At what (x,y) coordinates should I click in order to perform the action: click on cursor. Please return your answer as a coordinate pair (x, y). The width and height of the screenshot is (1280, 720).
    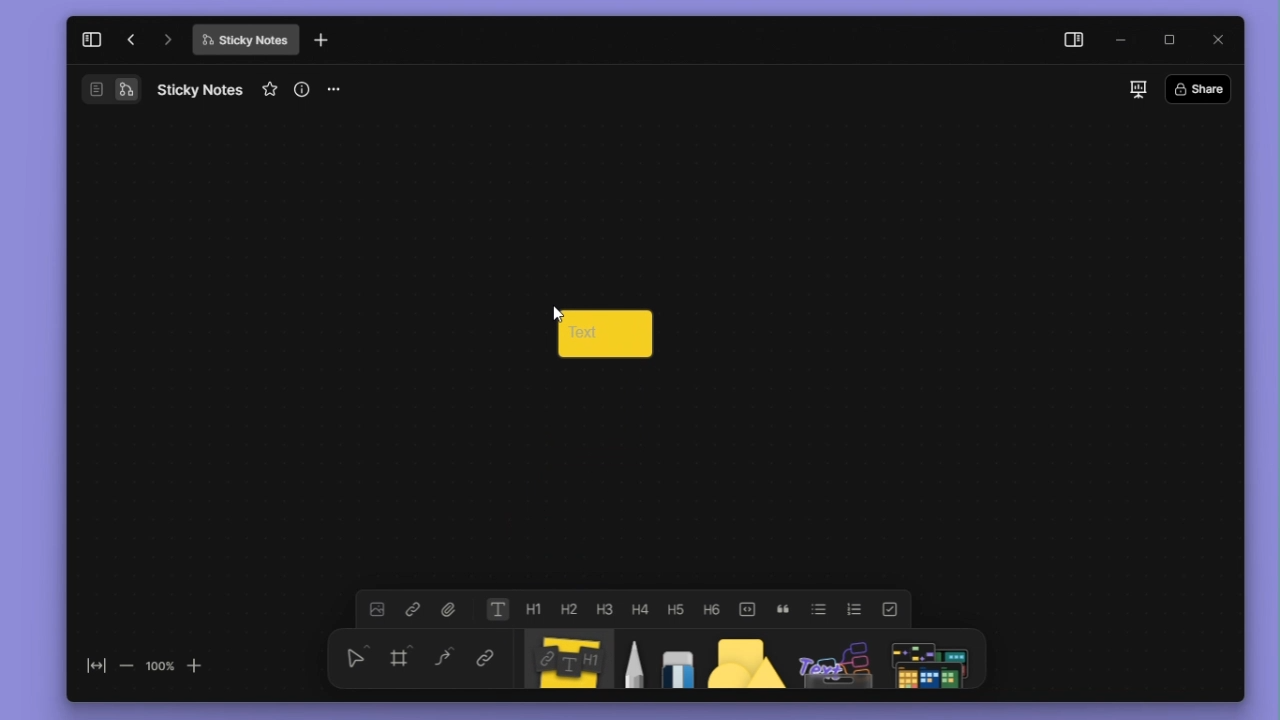
    Looking at the image, I should click on (560, 314).